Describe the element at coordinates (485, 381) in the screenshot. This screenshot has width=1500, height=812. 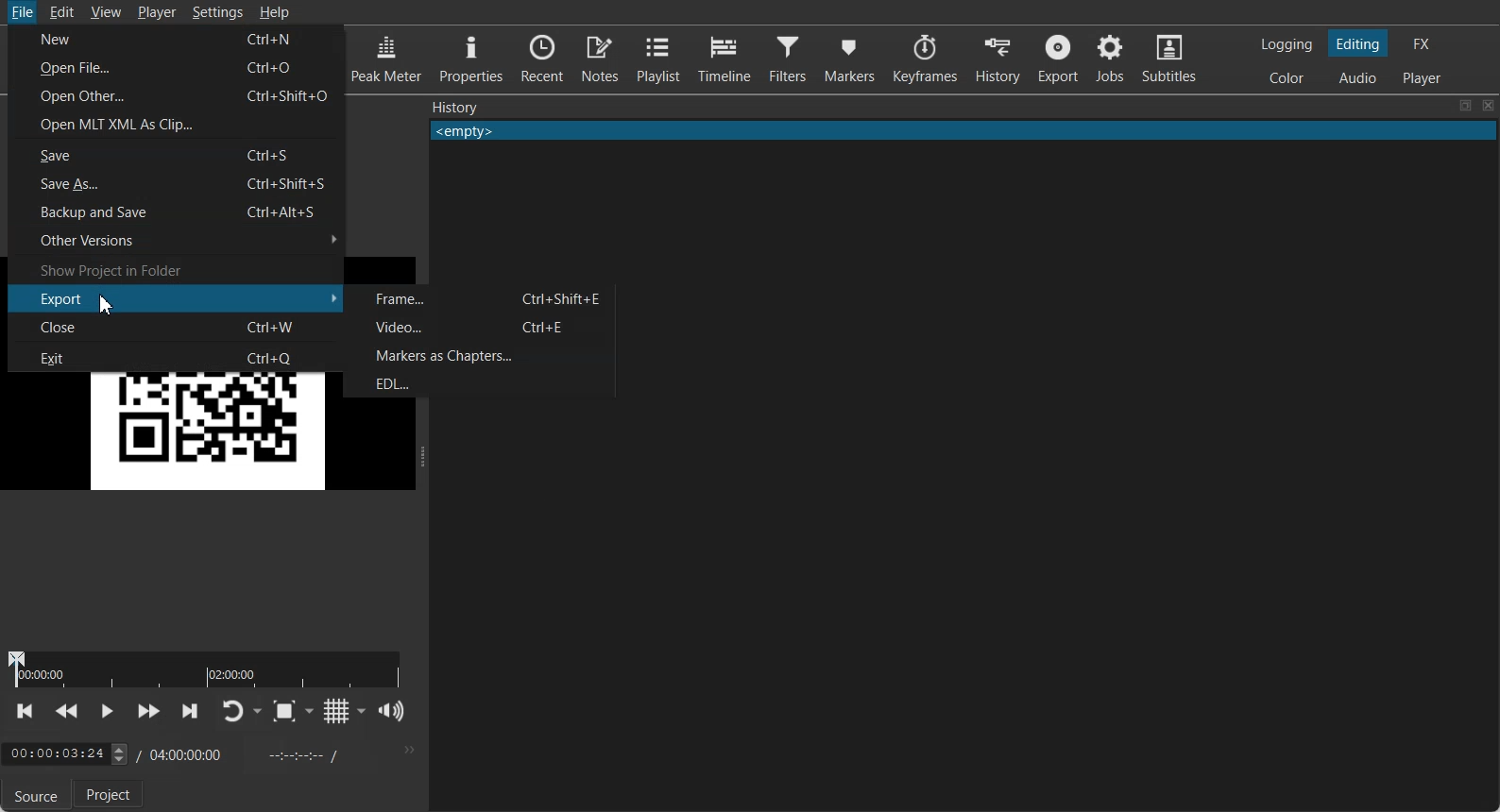
I see `EDL` at that location.